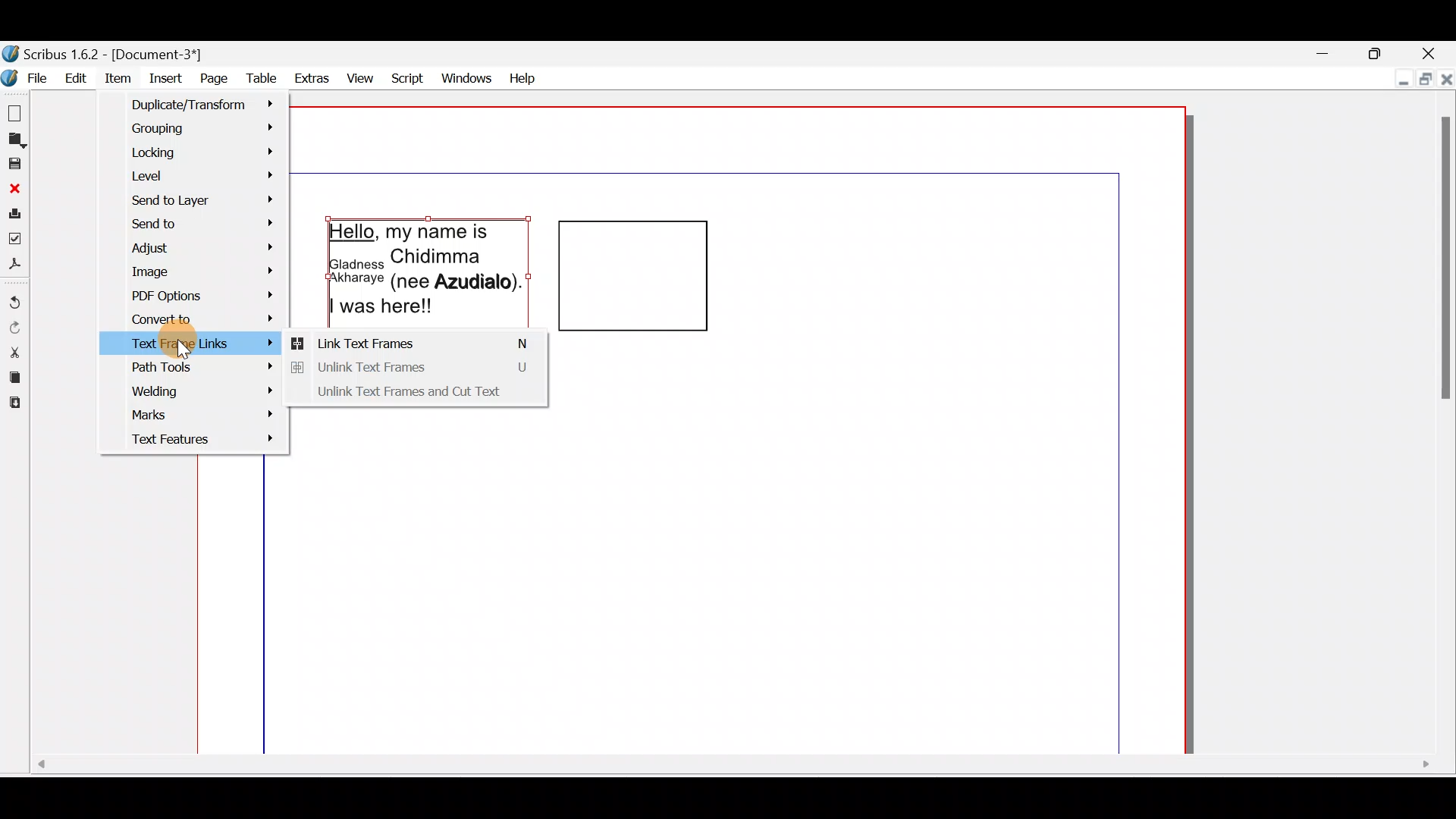  What do you see at coordinates (524, 77) in the screenshot?
I see `Help` at bounding box center [524, 77].